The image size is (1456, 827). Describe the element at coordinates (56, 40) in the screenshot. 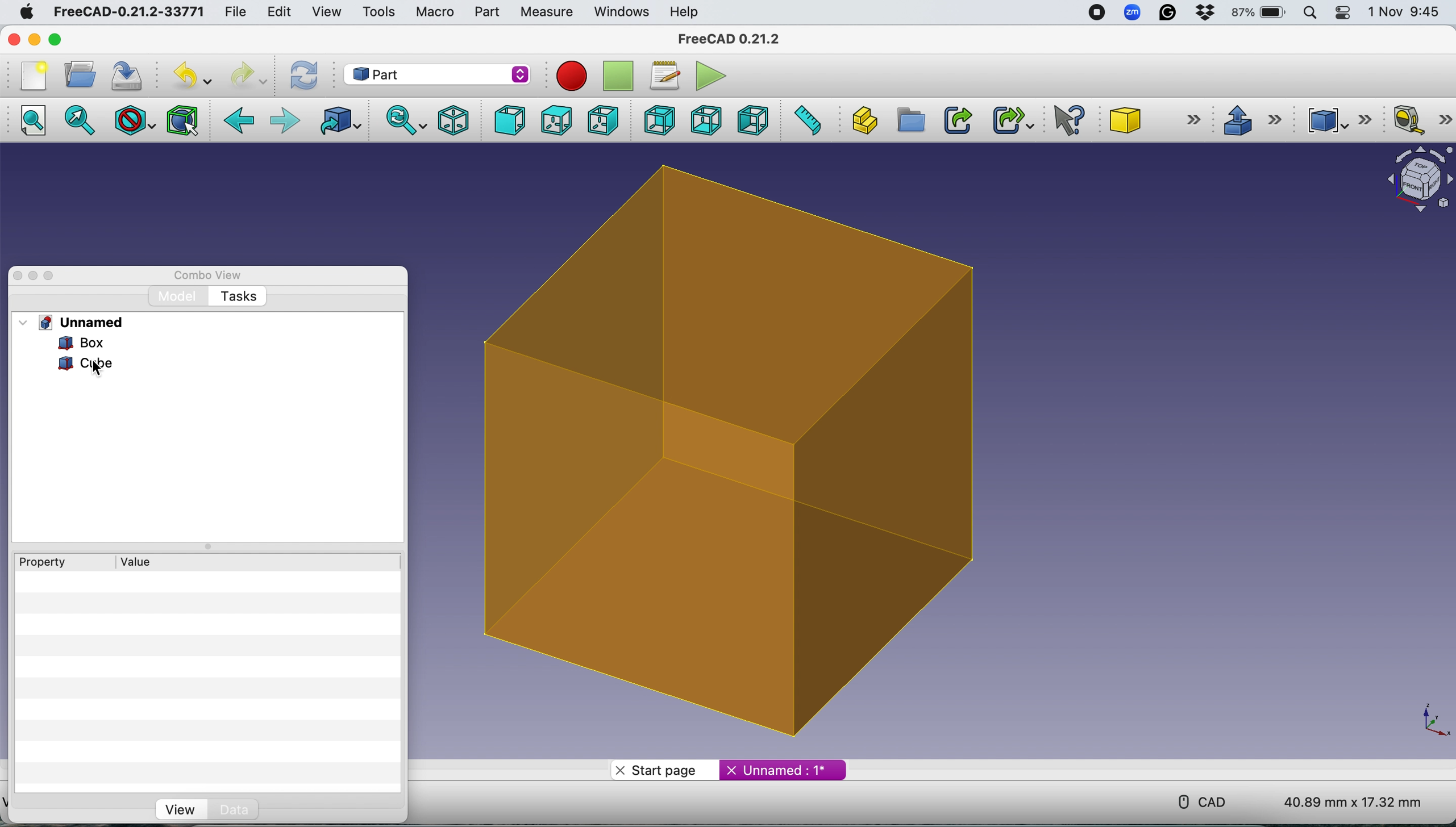

I see `Maximise` at that location.